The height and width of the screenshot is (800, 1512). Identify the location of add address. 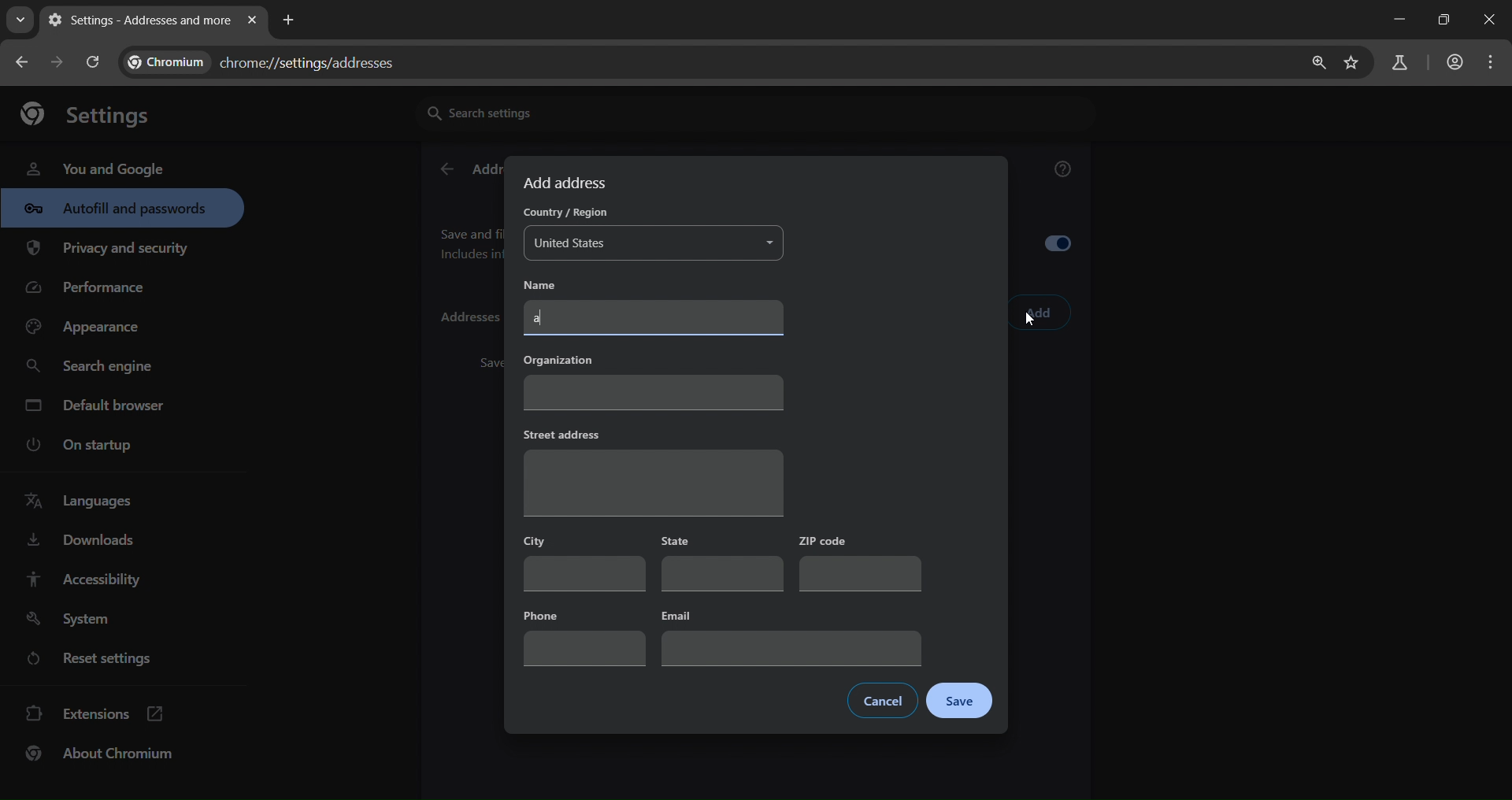
(568, 183).